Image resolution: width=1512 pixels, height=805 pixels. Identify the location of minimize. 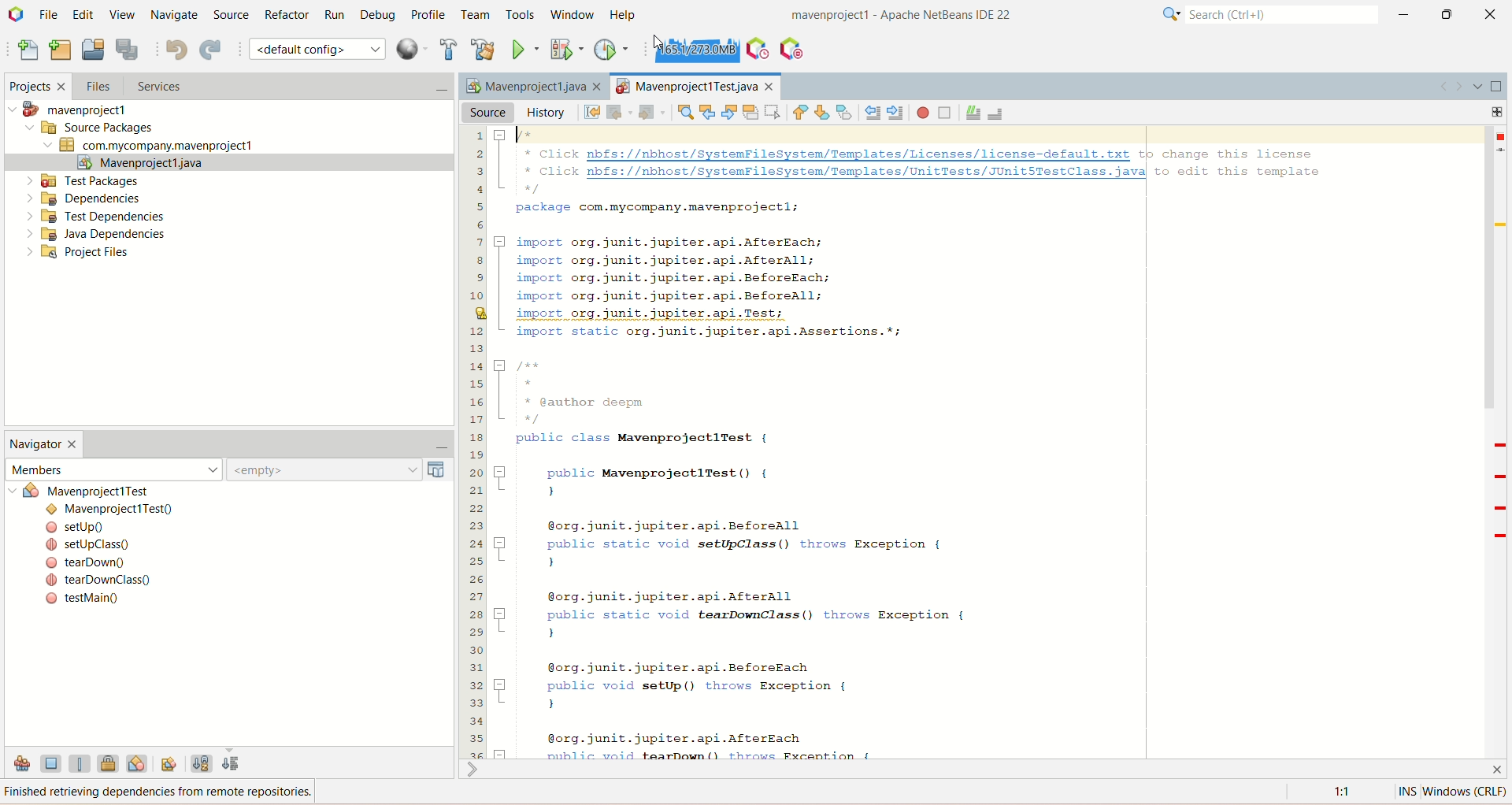
(1405, 14).